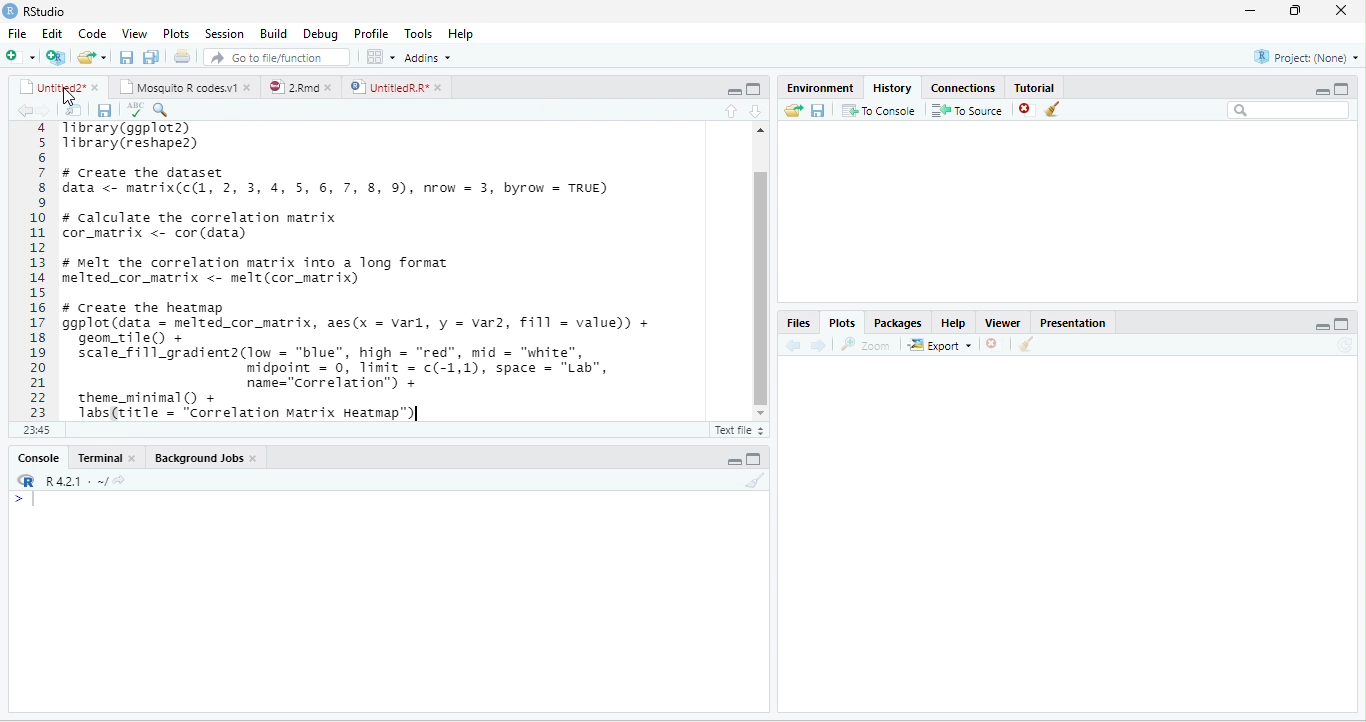 Image resolution: width=1366 pixels, height=722 pixels. Describe the element at coordinates (1345, 11) in the screenshot. I see `close` at that location.